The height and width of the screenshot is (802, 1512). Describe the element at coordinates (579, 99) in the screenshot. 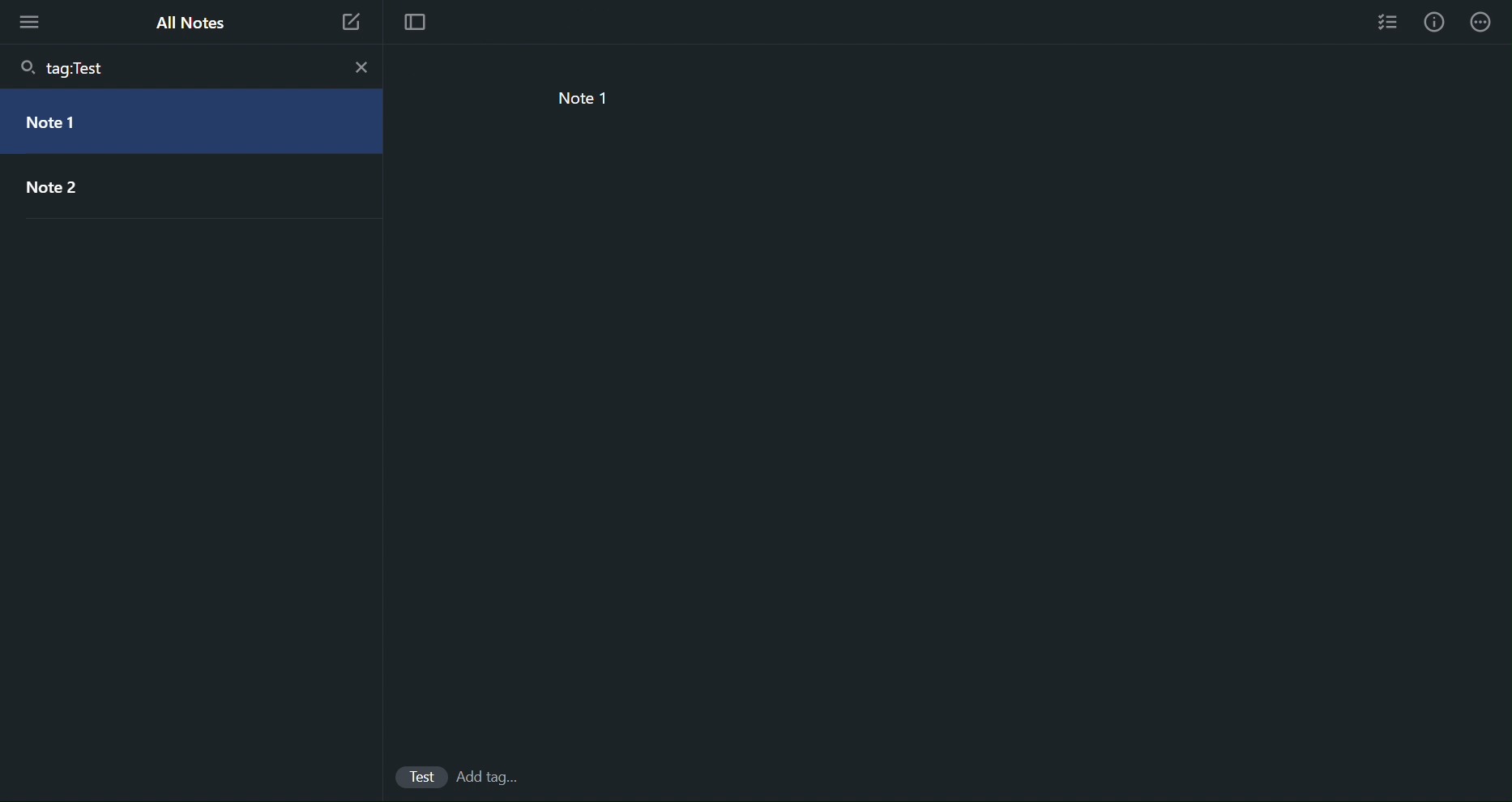

I see `note 1` at that location.